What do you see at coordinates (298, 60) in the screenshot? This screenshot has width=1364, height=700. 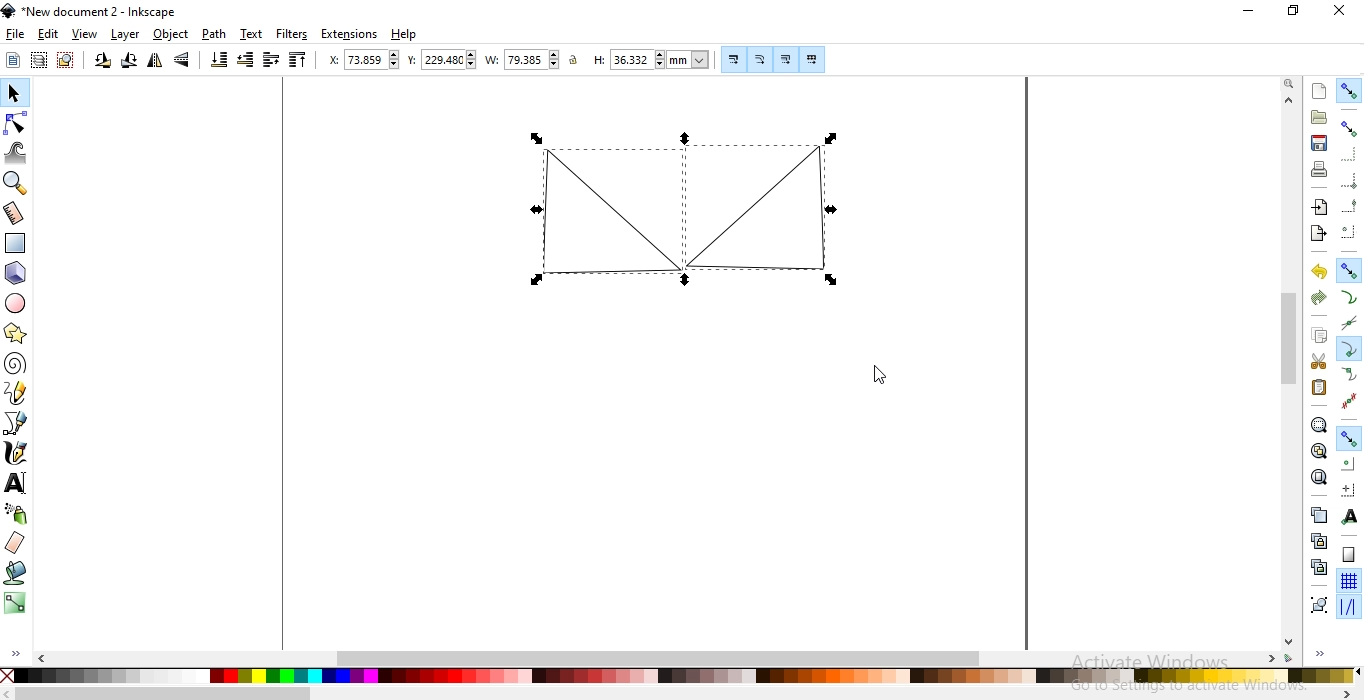 I see `raise selection to top` at bounding box center [298, 60].